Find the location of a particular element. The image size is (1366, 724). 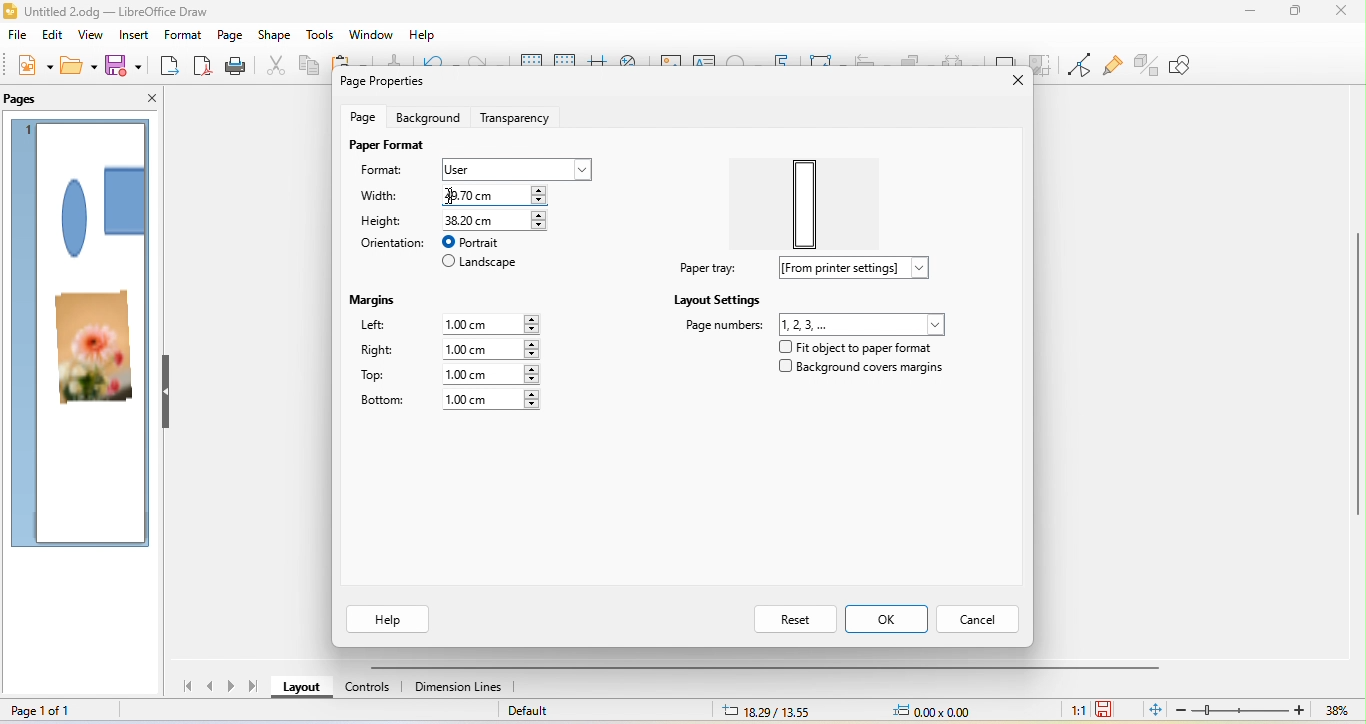

format is located at coordinates (183, 35).